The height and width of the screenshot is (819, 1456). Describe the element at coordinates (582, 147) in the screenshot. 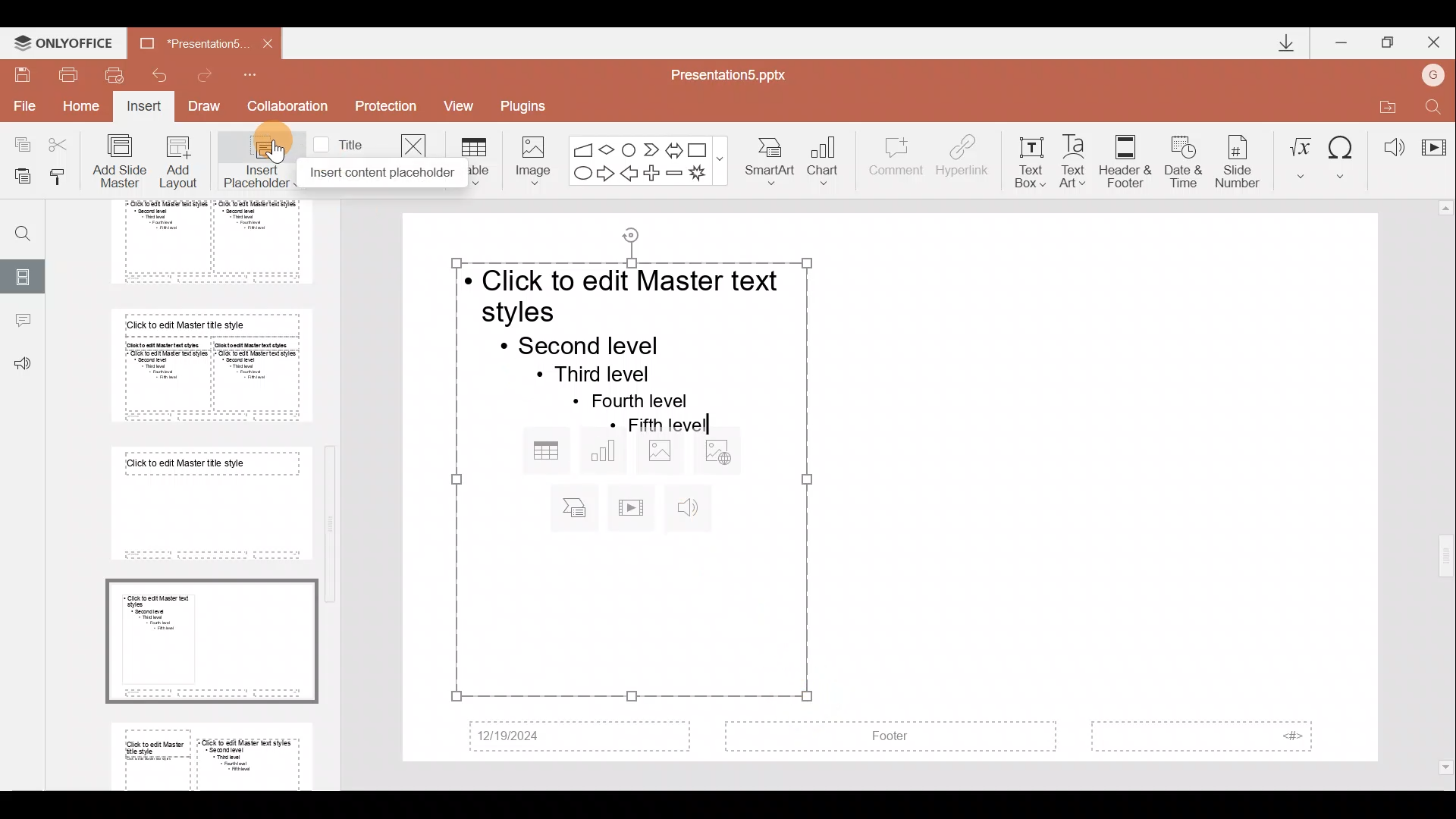

I see `Flowchart - manual input` at that location.